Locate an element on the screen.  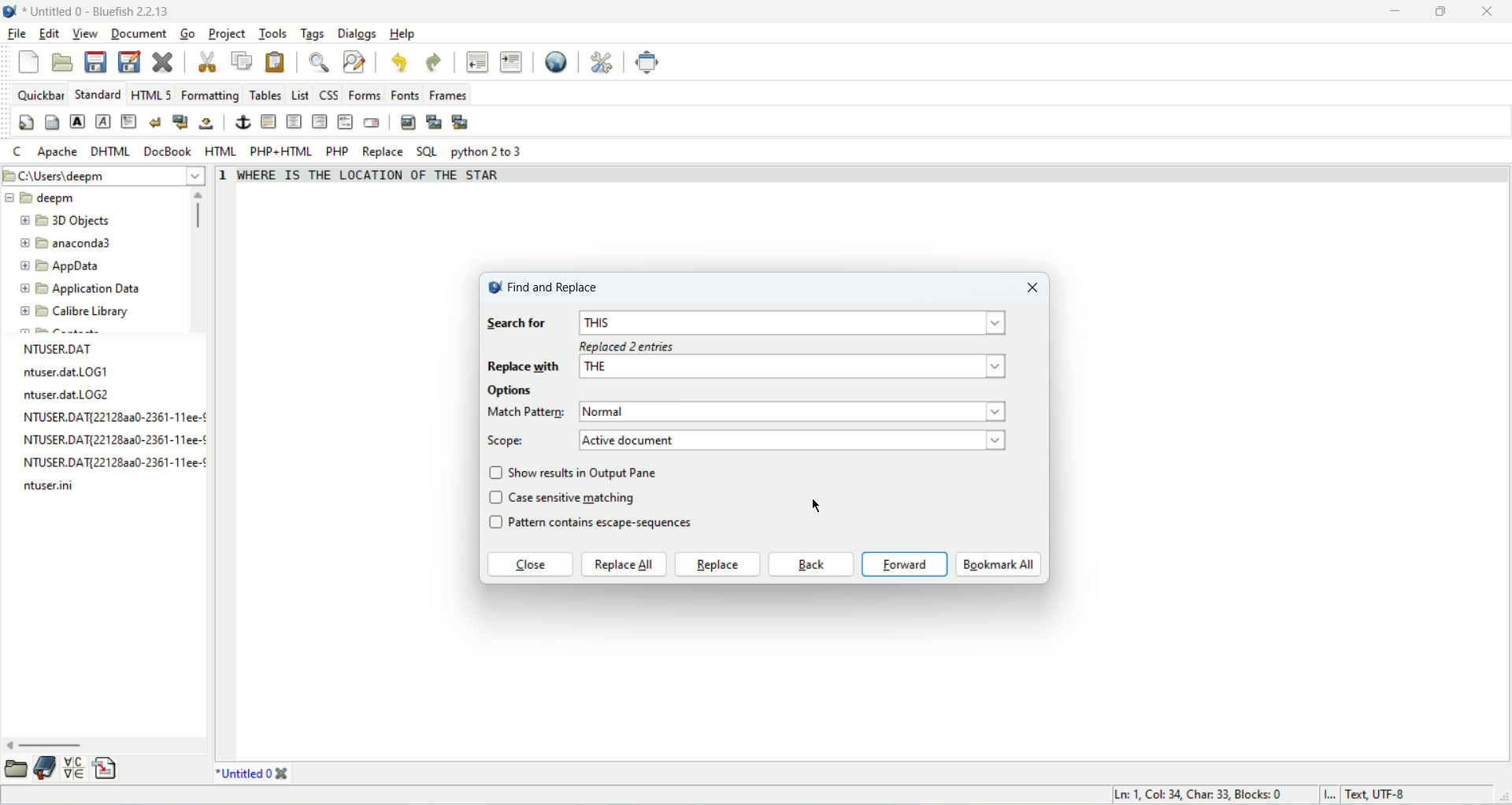
forward is located at coordinates (905, 564).